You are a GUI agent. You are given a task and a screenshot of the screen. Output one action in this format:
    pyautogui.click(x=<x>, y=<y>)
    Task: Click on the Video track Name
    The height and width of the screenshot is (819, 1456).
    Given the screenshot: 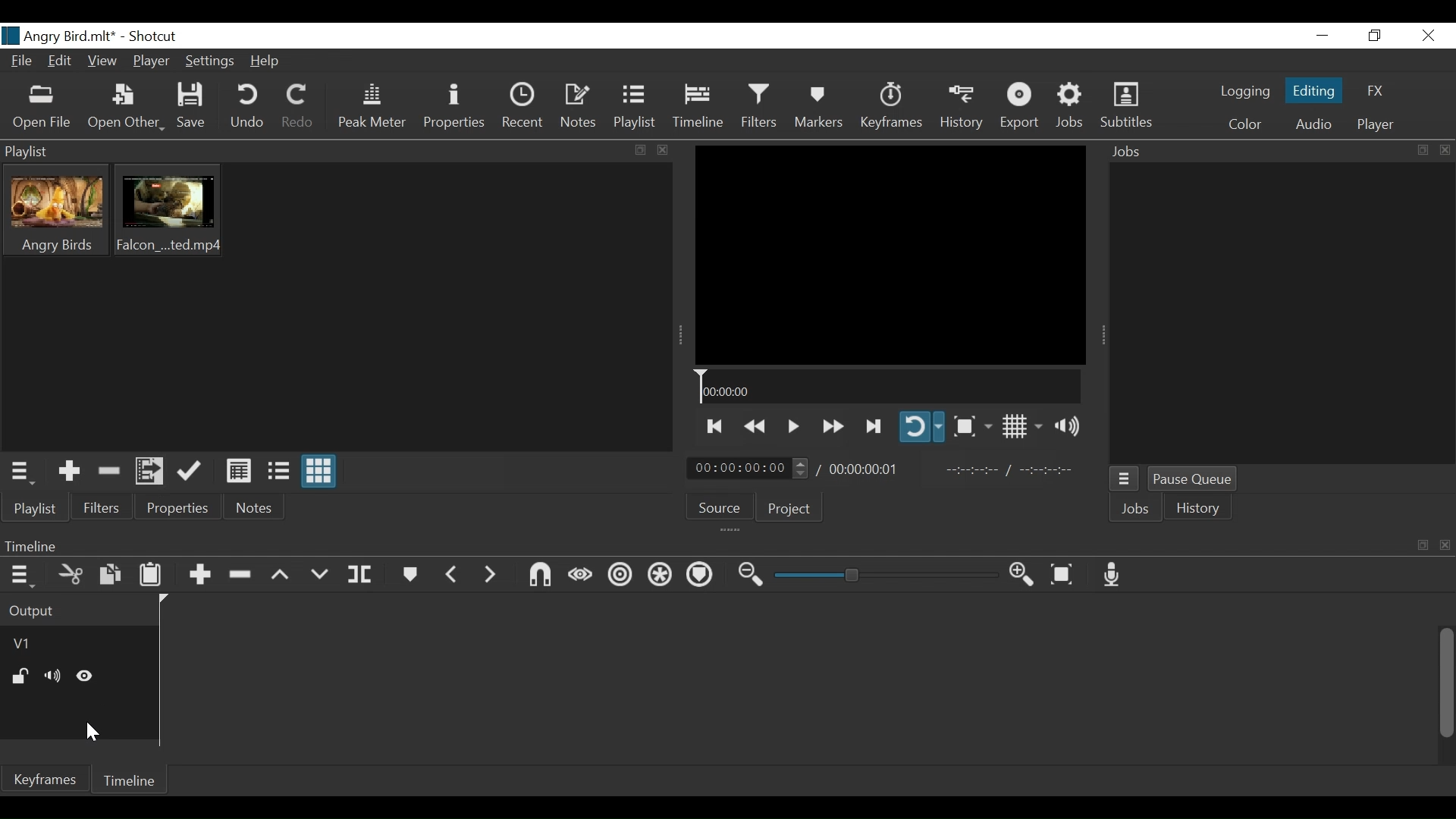 What is the action you would take?
    pyautogui.click(x=79, y=643)
    